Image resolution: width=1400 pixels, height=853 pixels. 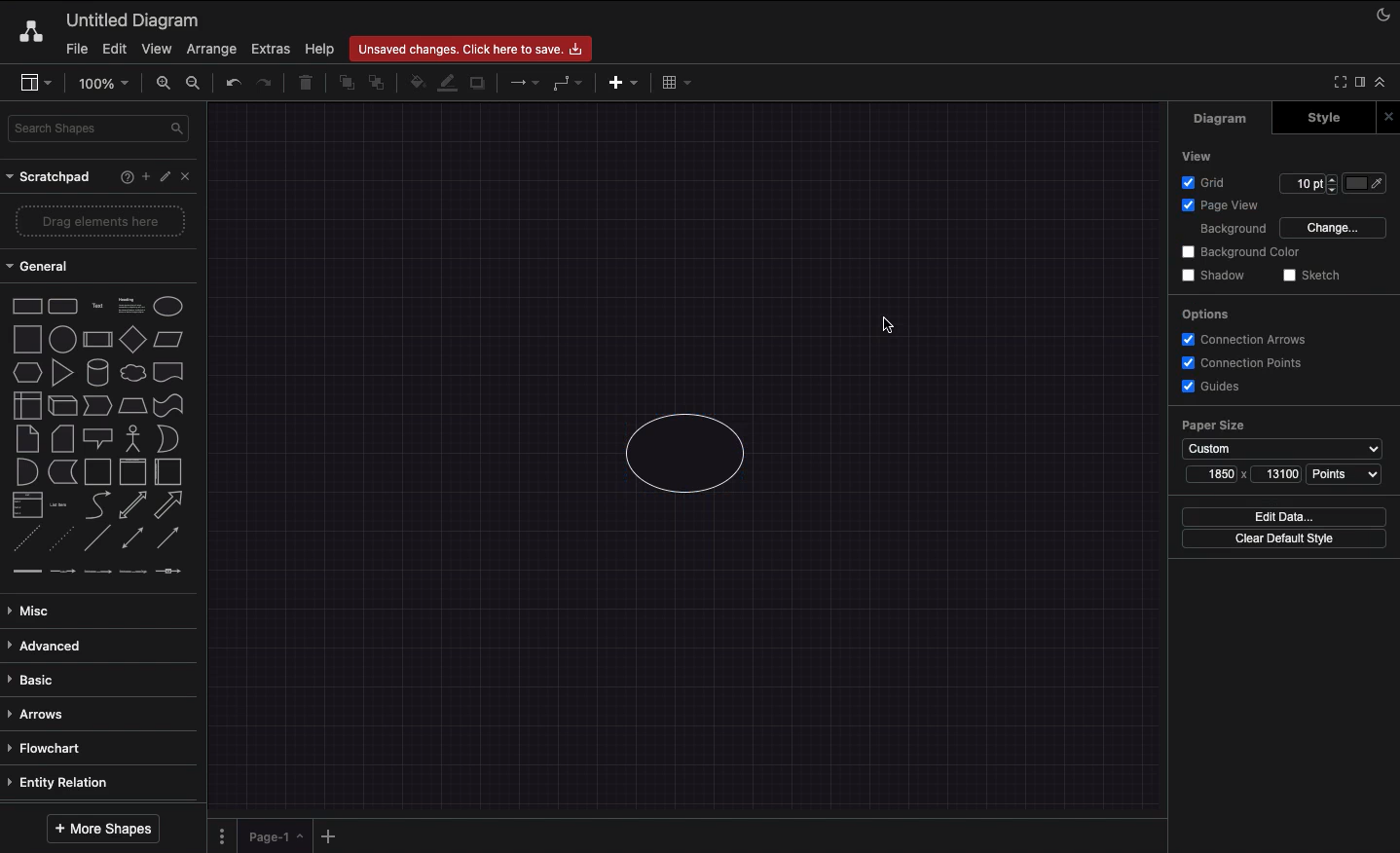 I want to click on And, so click(x=28, y=473).